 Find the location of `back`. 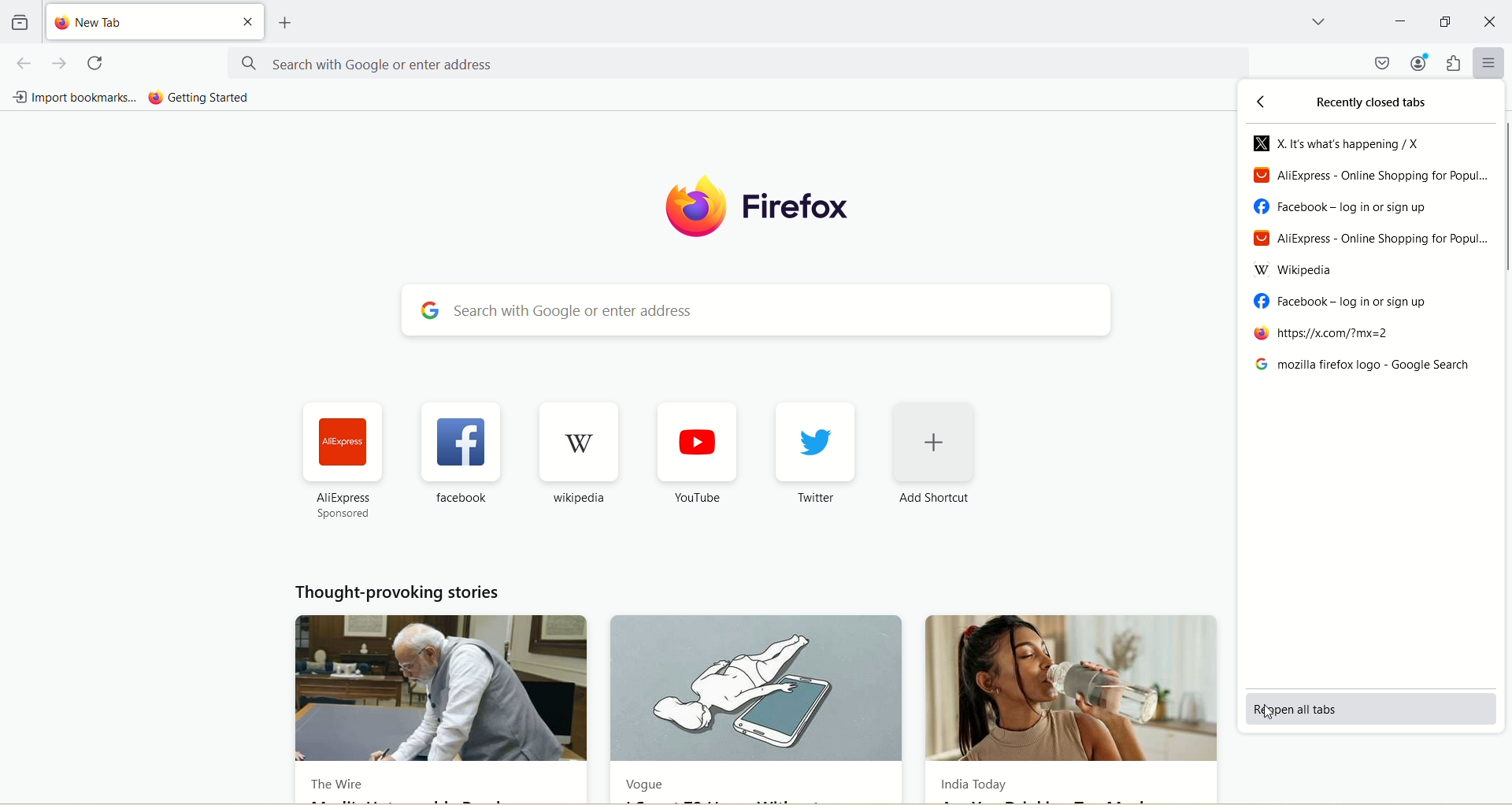

back is located at coordinates (1260, 102).